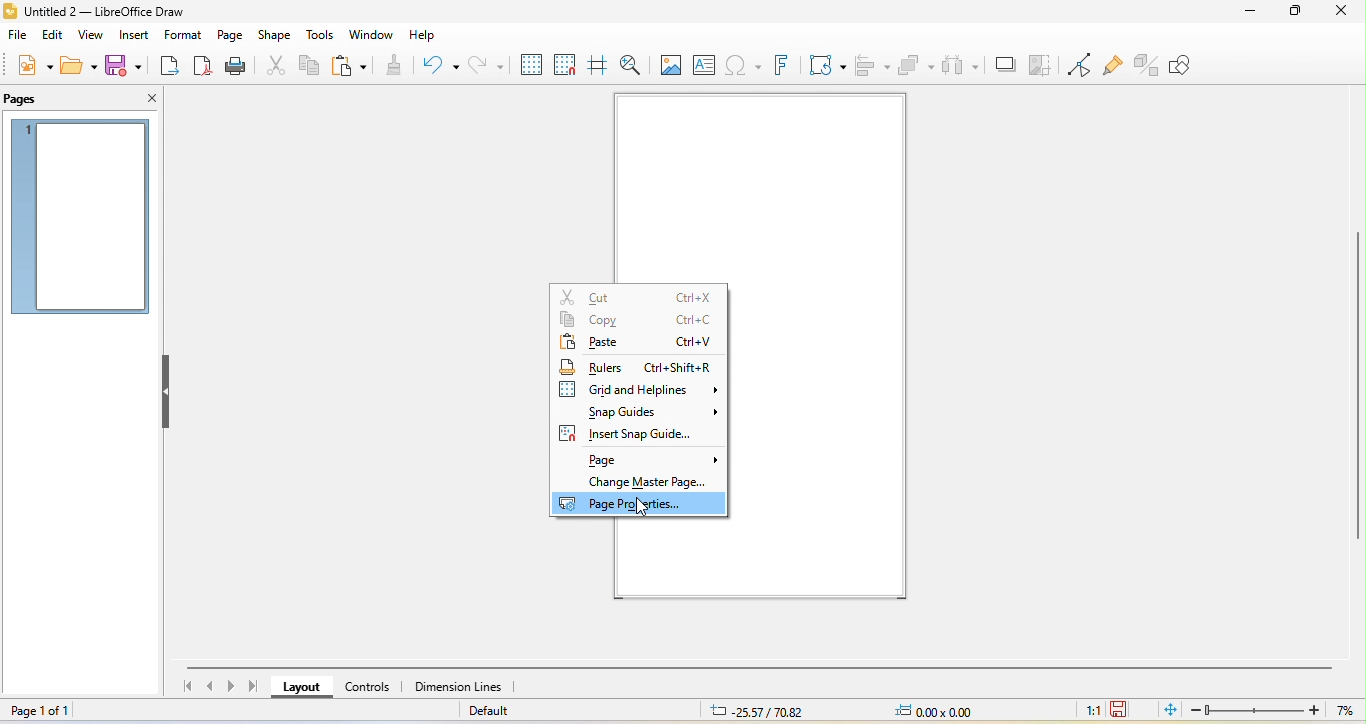 The height and width of the screenshot is (724, 1366). I want to click on open, so click(77, 65).